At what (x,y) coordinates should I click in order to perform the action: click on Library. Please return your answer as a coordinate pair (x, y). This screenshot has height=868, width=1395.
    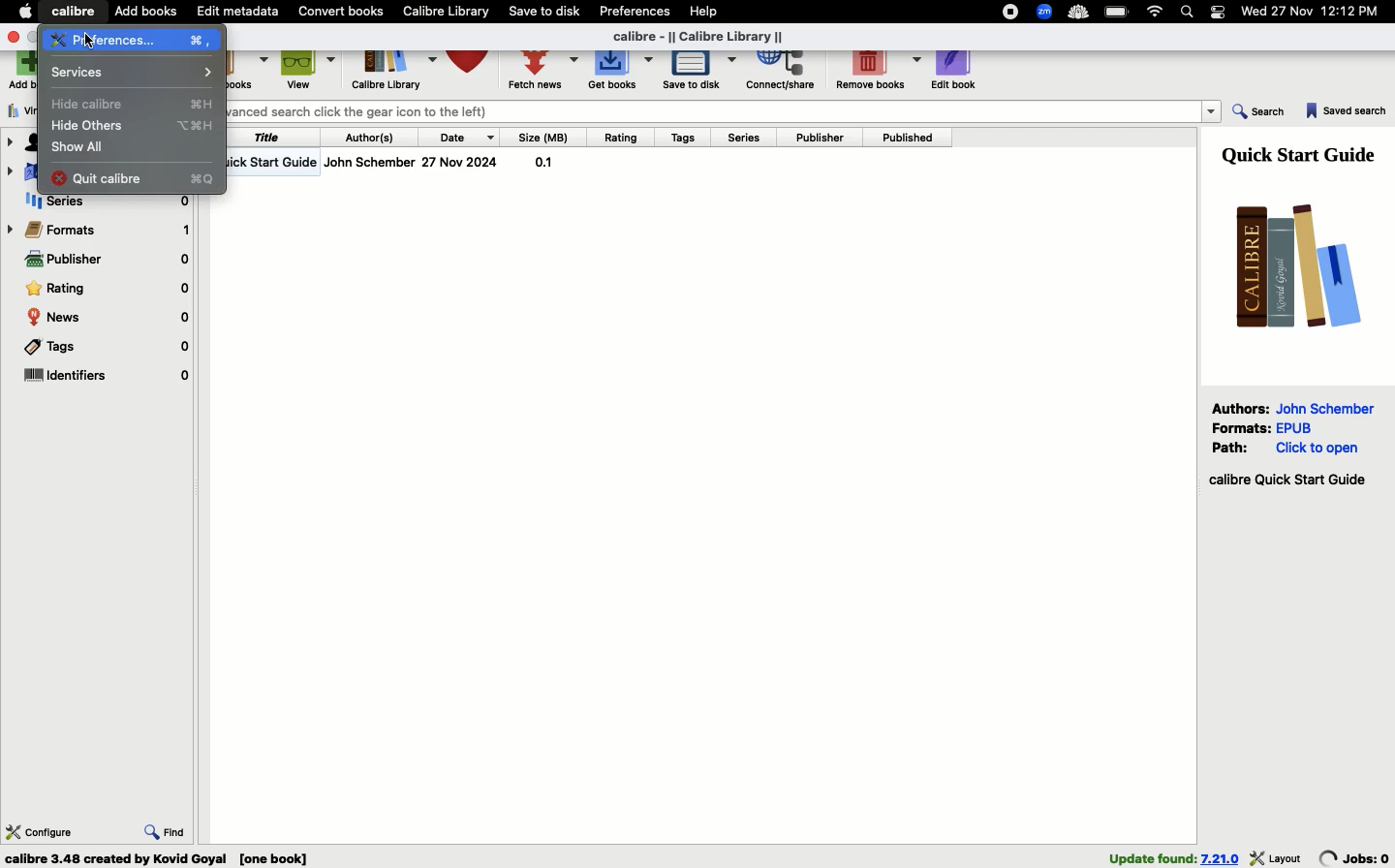
    Looking at the image, I should click on (471, 74).